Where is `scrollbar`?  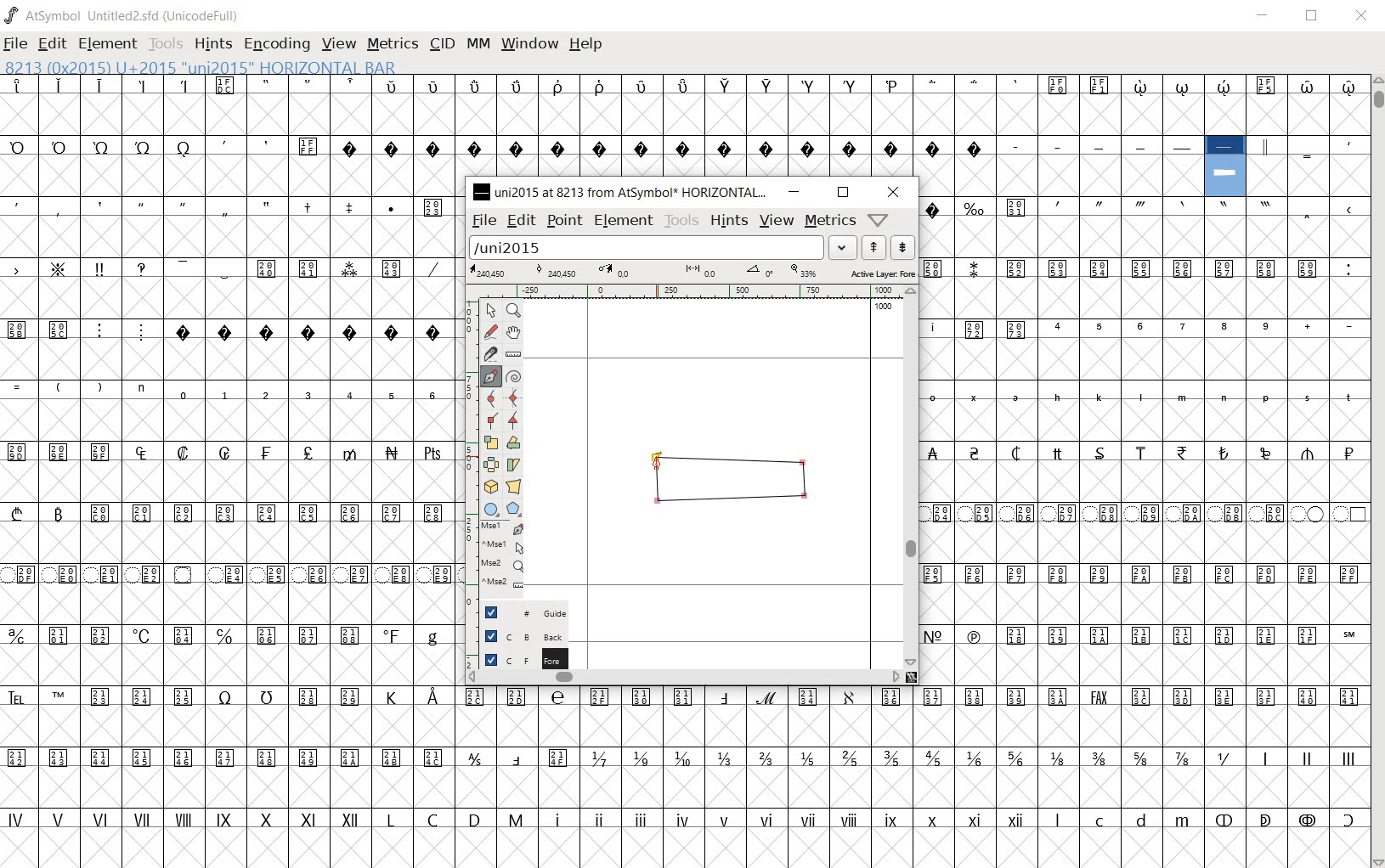
scrollbar is located at coordinates (683, 679).